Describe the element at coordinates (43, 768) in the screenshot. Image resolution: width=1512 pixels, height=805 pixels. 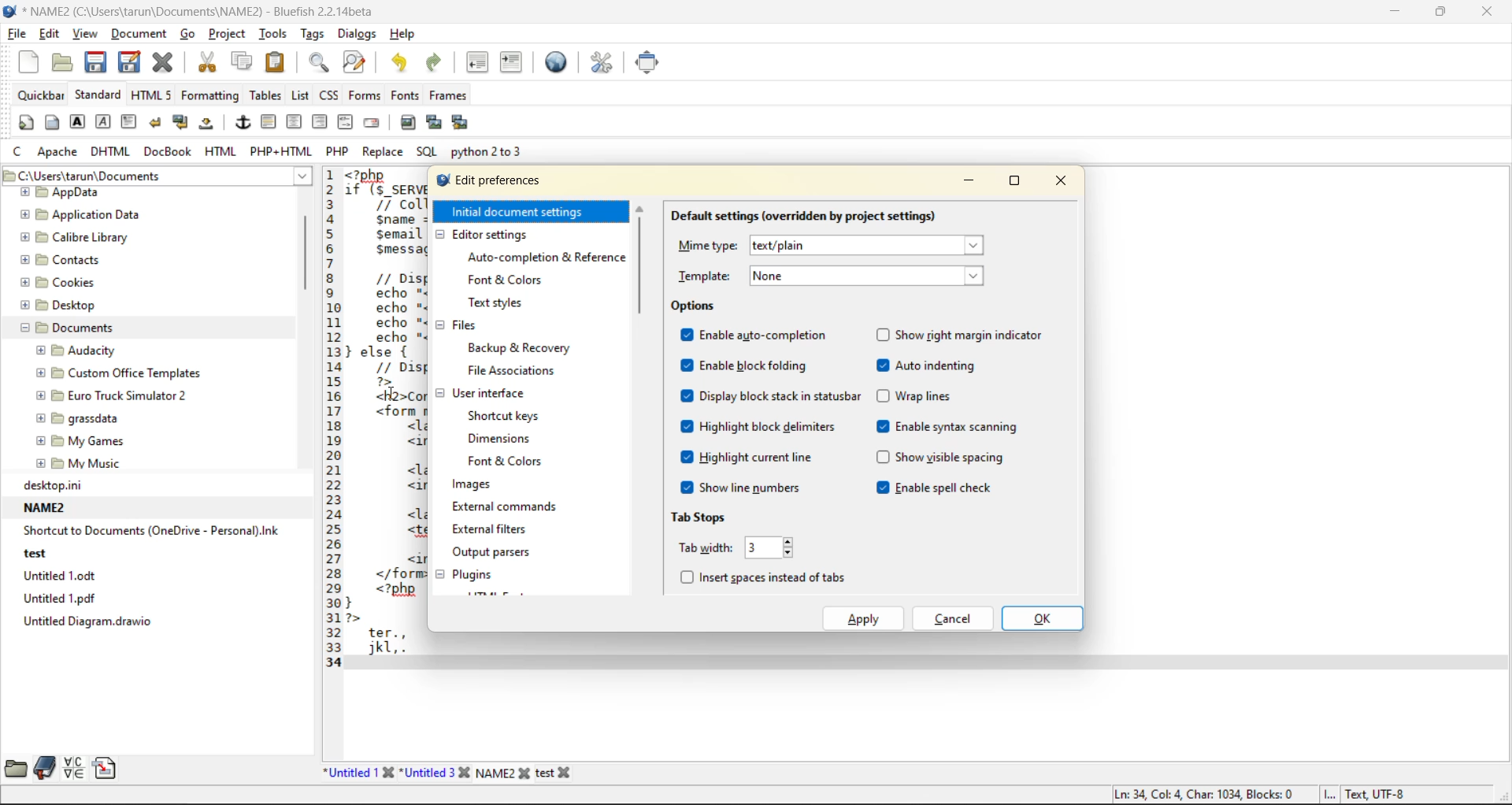
I see `bookmarks` at that location.